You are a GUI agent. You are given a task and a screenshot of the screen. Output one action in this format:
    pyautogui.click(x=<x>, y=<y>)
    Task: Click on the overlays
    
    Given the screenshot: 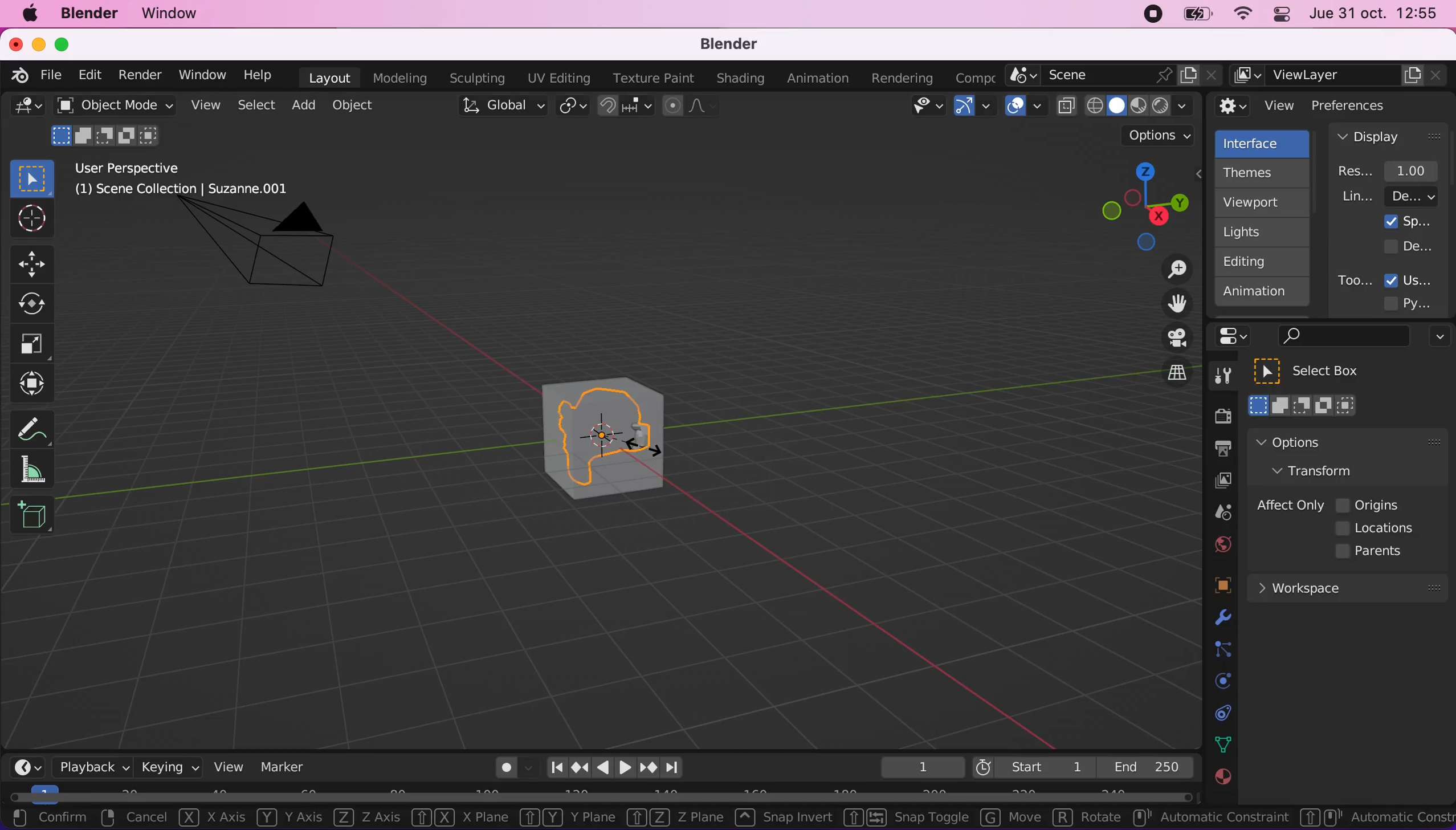 What is the action you would take?
    pyautogui.click(x=1026, y=107)
    